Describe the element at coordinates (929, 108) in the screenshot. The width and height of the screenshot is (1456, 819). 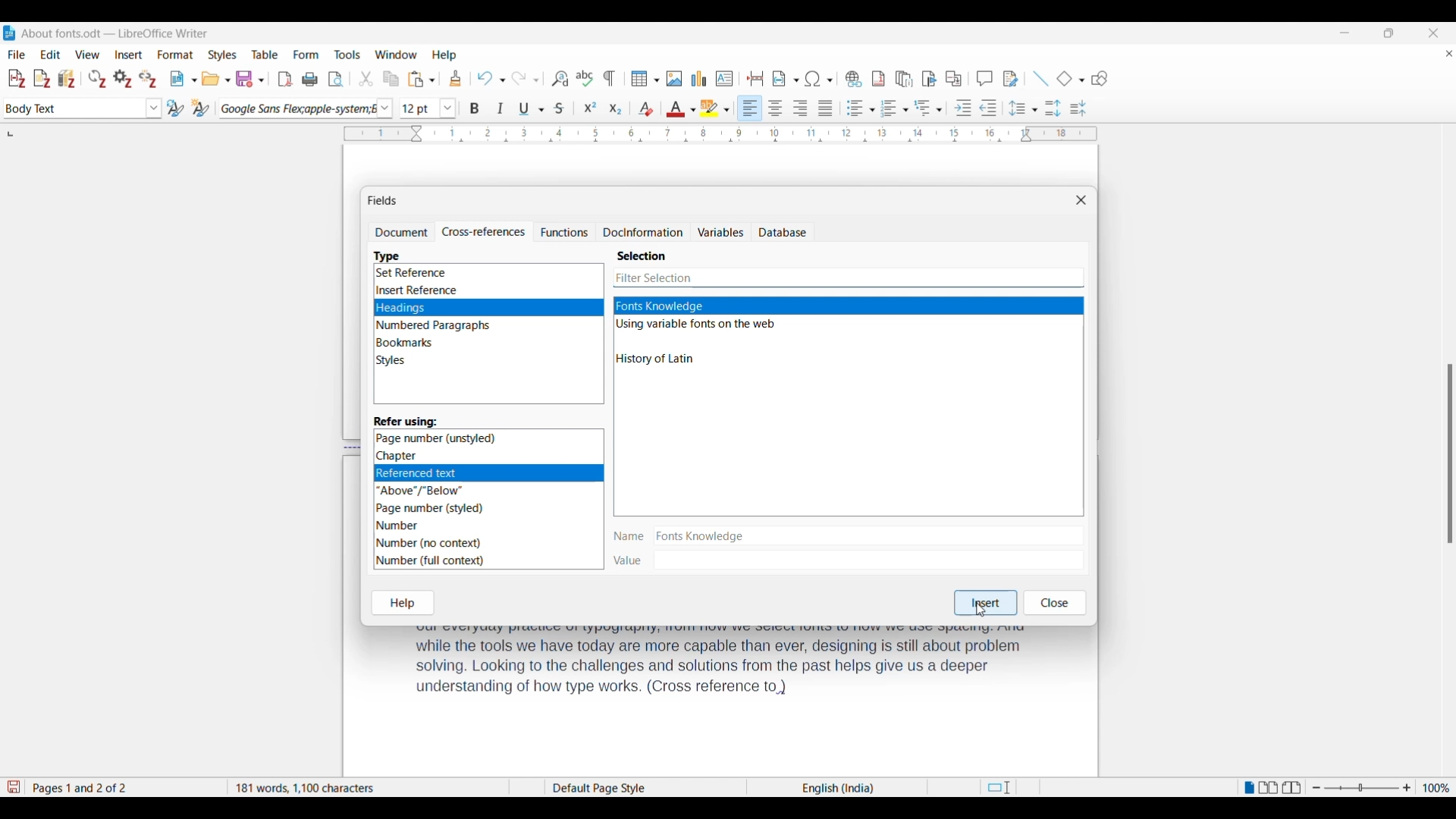
I see `Outline format options` at that location.